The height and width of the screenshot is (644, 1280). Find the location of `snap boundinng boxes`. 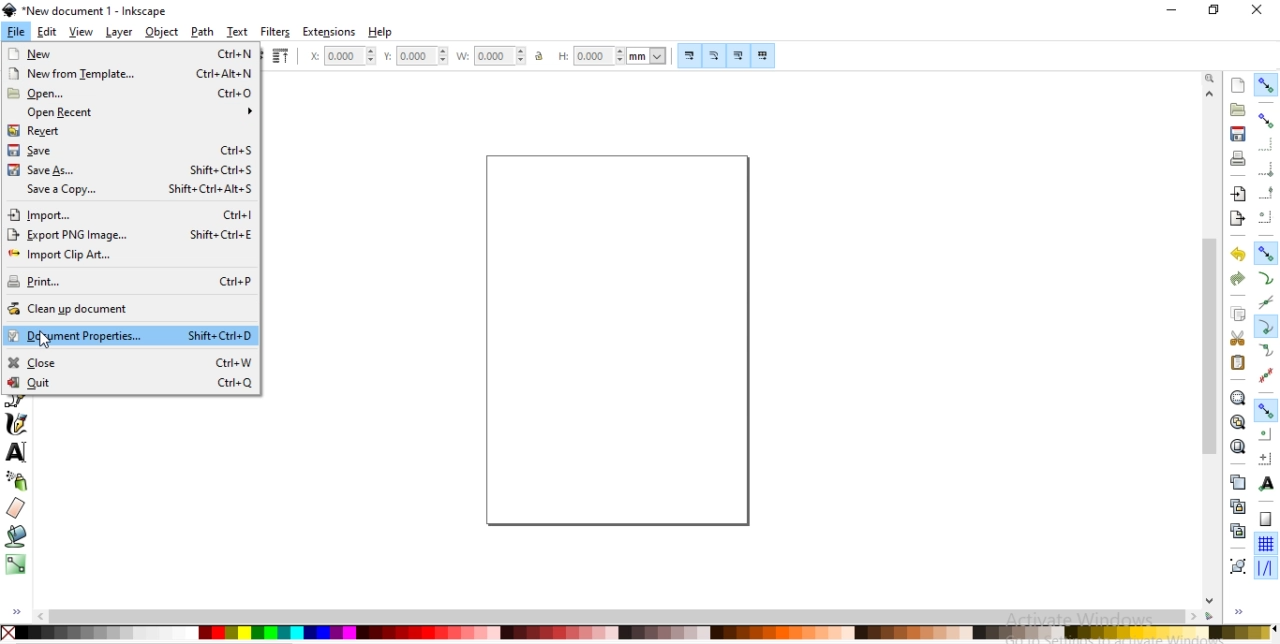

snap boundinng boxes is located at coordinates (1265, 121).